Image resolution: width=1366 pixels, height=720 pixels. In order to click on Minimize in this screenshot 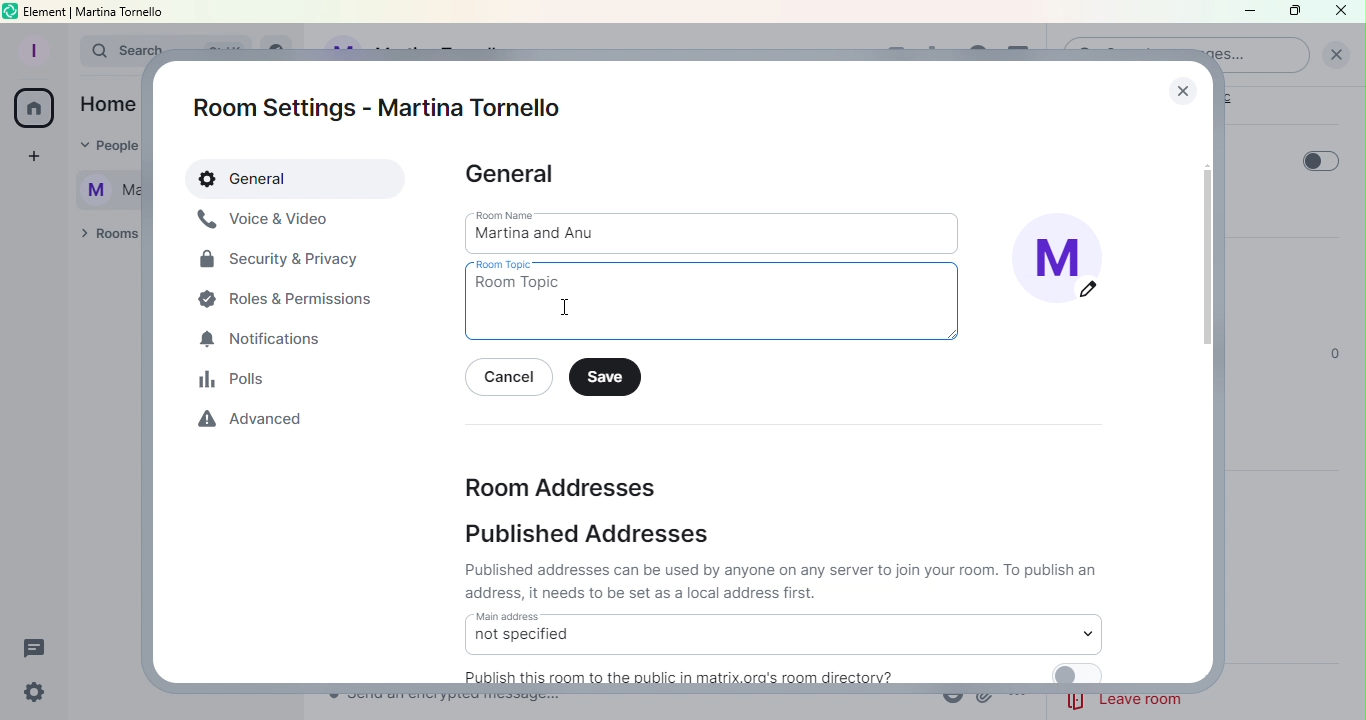, I will do `click(1247, 13)`.